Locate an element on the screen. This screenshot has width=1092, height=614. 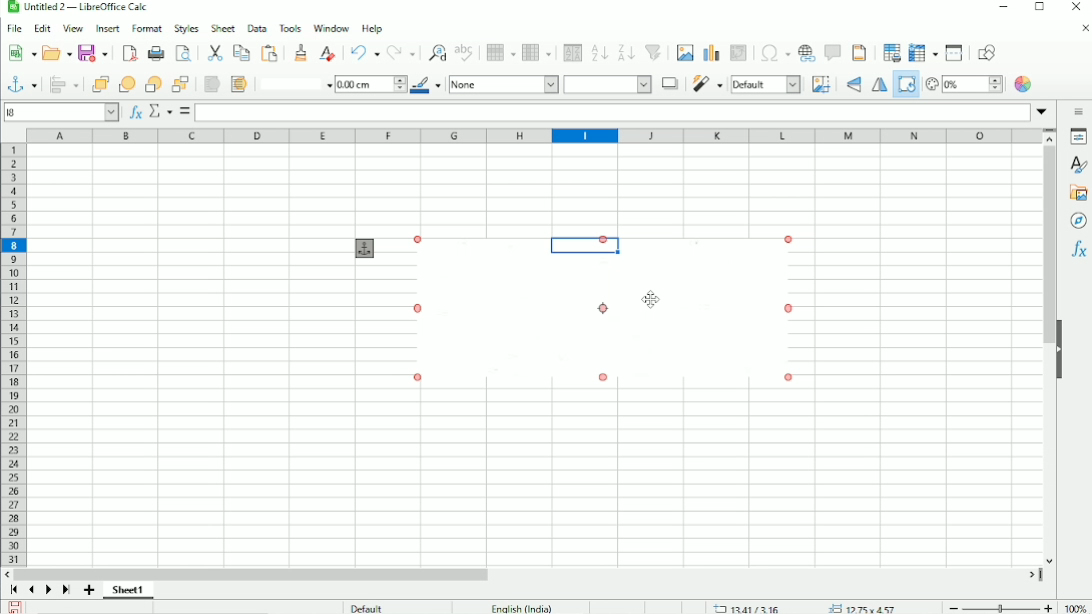
Anchor is located at coordinates (365, 248).